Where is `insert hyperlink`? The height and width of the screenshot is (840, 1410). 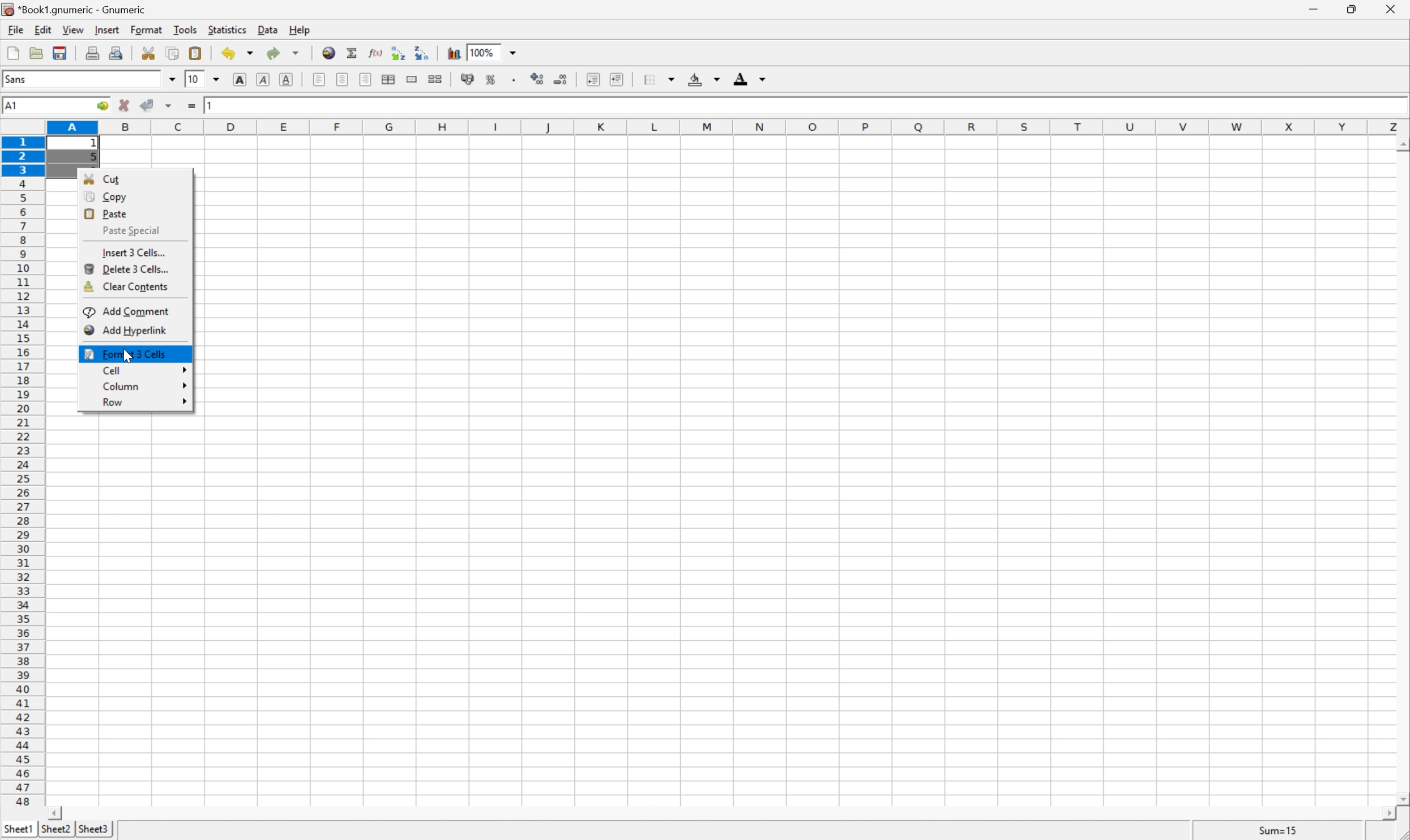 insert hyperlink is located at coordinates (330, 52).